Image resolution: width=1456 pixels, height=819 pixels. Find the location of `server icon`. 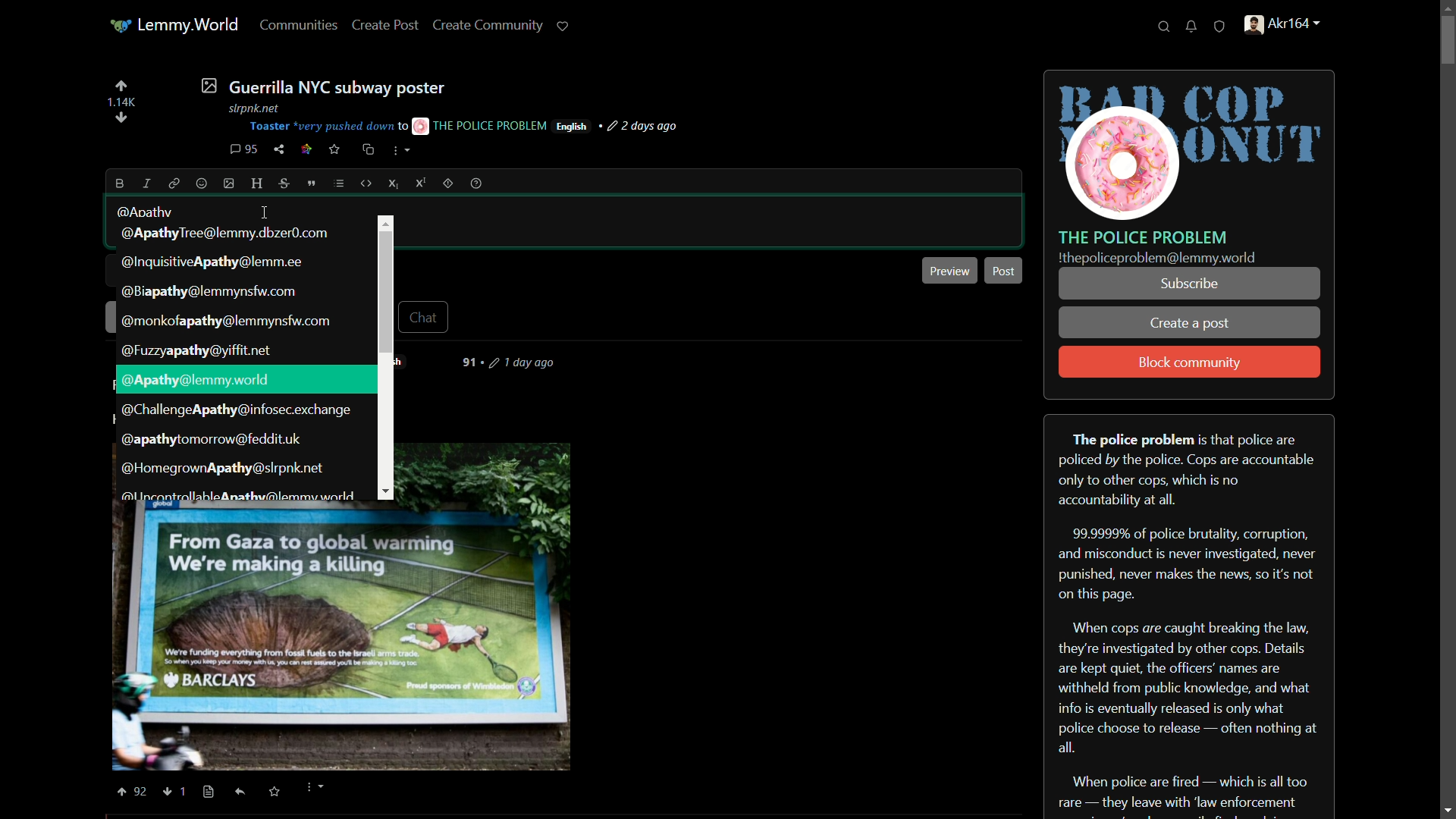

server icon is located at coordinates (1191, 146).